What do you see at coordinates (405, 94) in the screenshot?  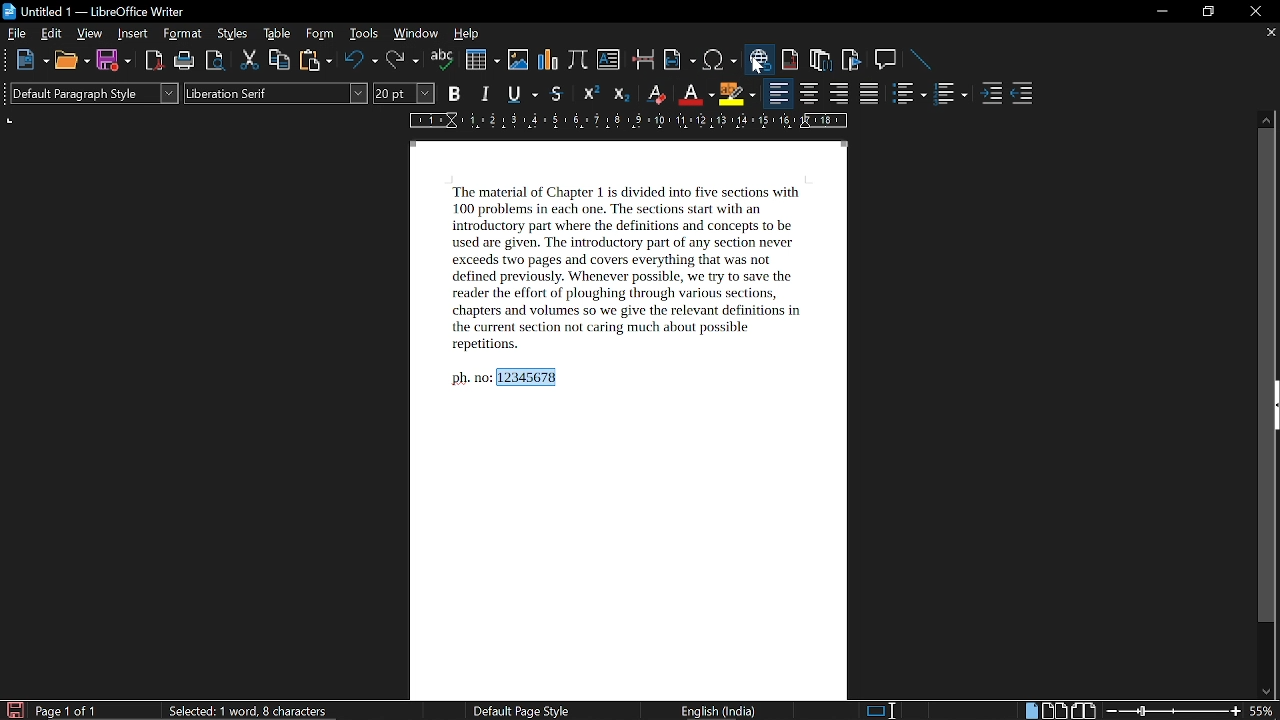 I see `font size` at bounding box center [405, 94].